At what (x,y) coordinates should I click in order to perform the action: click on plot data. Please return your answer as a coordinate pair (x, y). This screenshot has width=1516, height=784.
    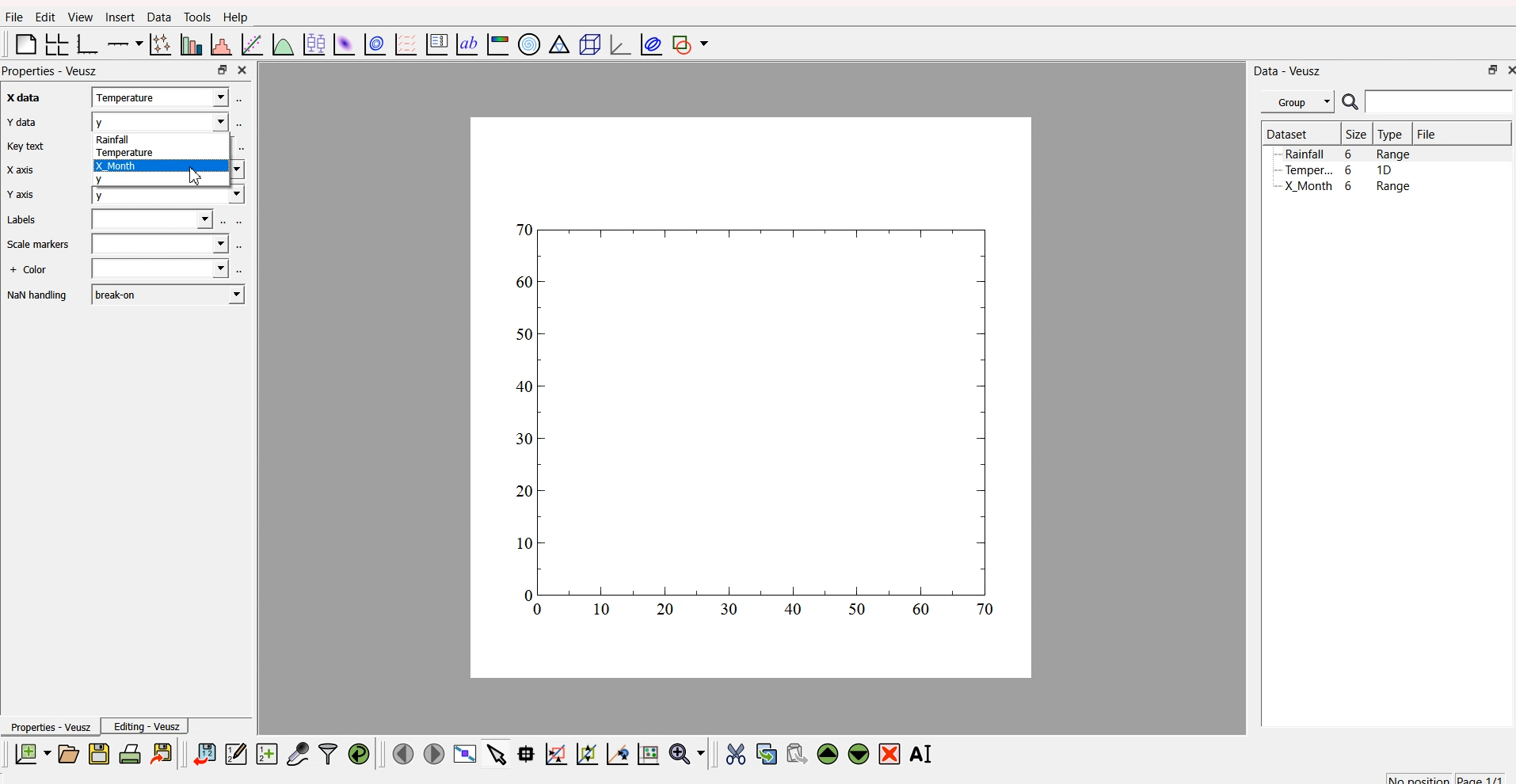
    Looking at the image, I should click on (373, 44).